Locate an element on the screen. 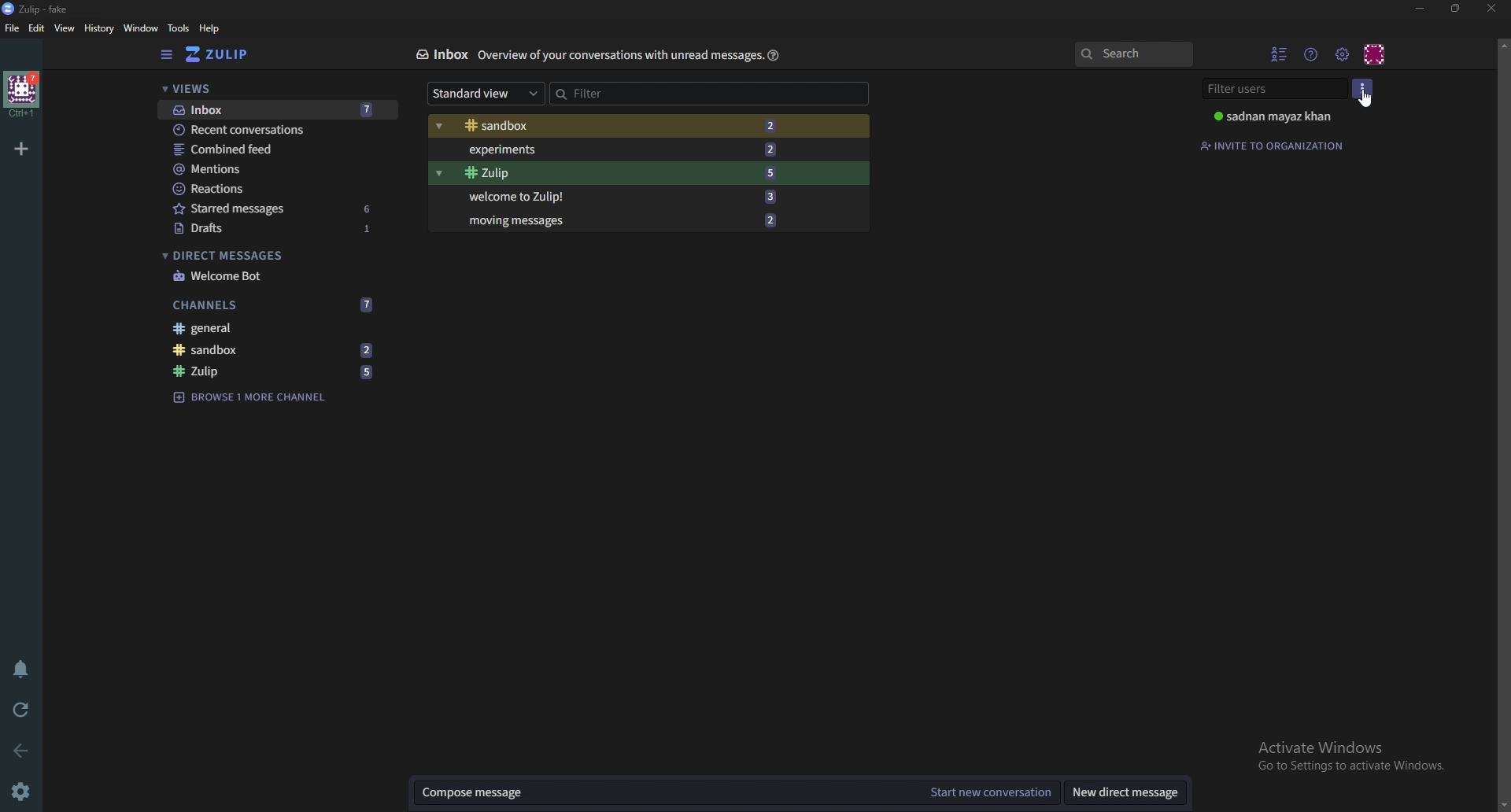 The width and height of the screenshot is (1511, 812). Close is located at coordinates (1491, 9).